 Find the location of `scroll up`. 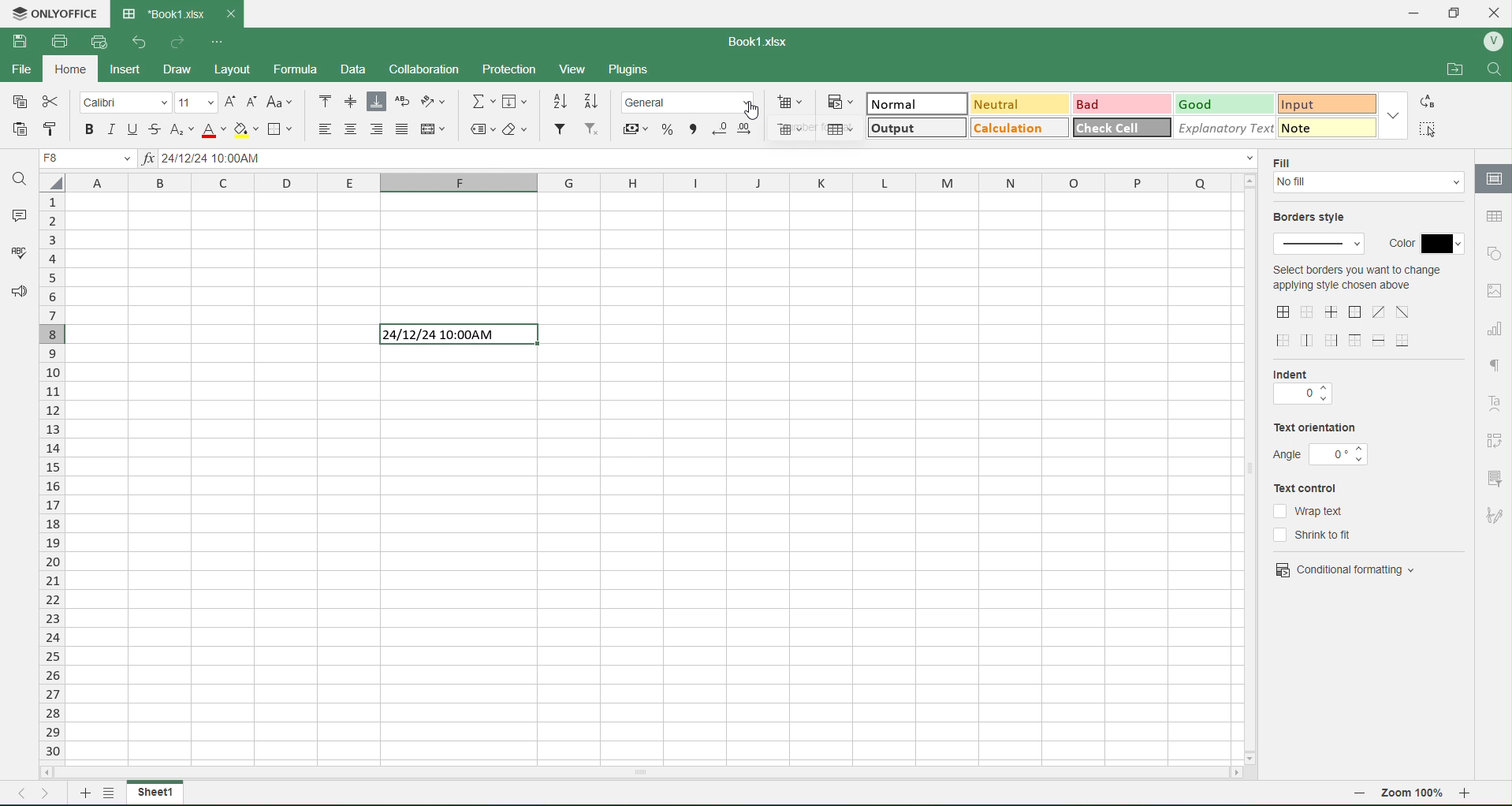

scroll up is located at coordinates (1248, 181).